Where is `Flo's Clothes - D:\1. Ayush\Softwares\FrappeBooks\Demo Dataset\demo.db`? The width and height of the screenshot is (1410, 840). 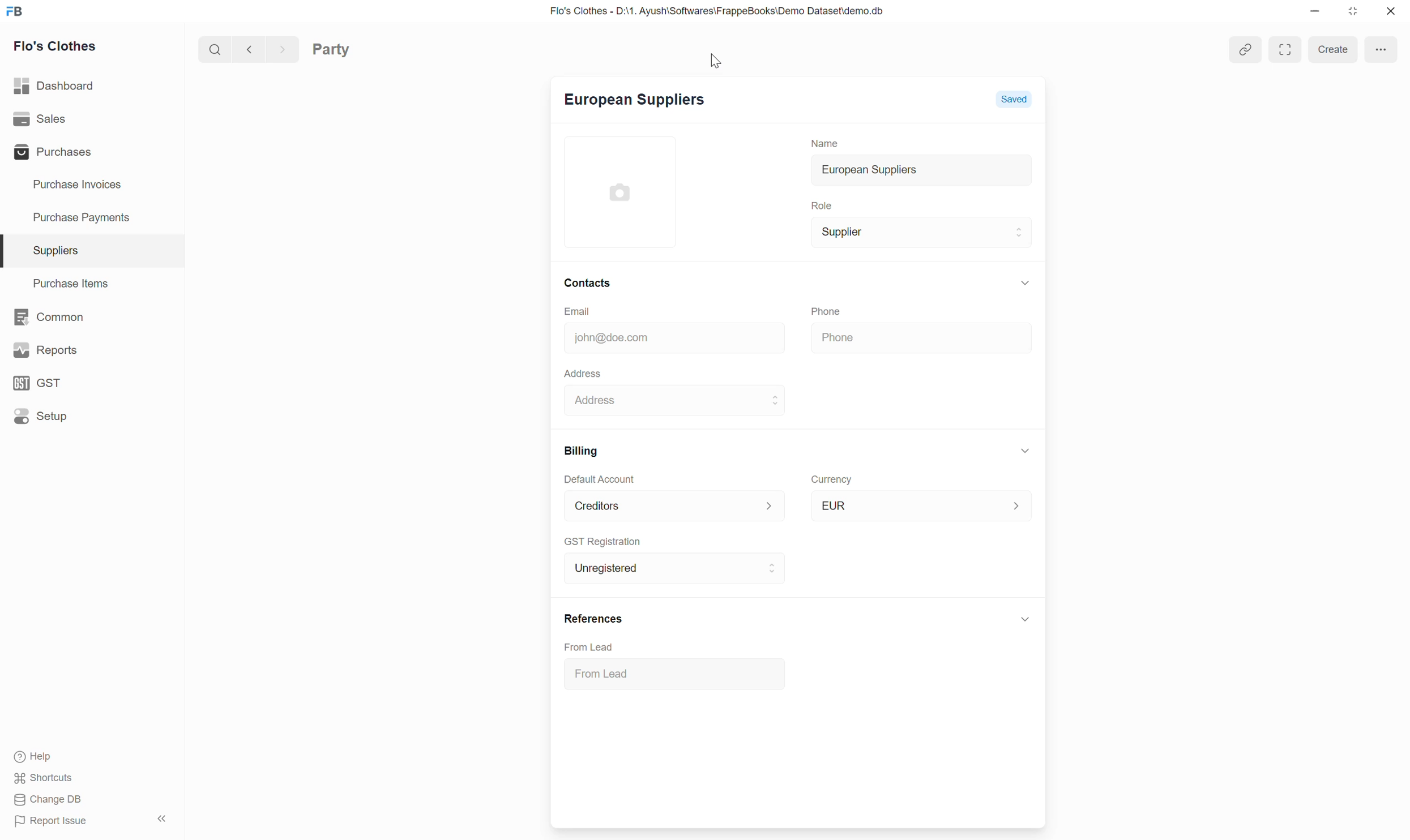 Flo's Clothes - D:\1. Ayush\Softwares\FrappeBooks\Demo Dataset\demo.db is located at coordinates (704, 9).